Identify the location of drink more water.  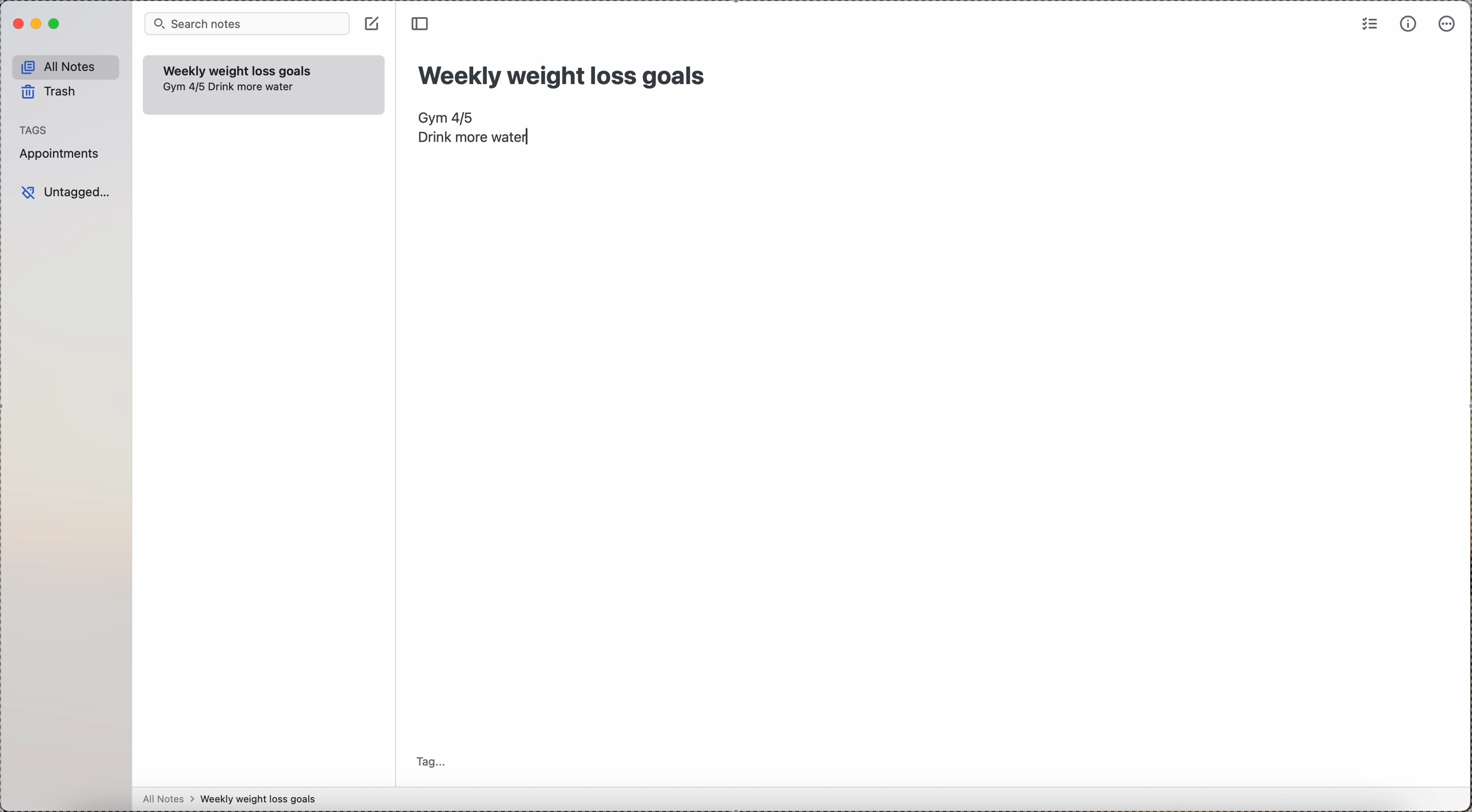
(252, 88).